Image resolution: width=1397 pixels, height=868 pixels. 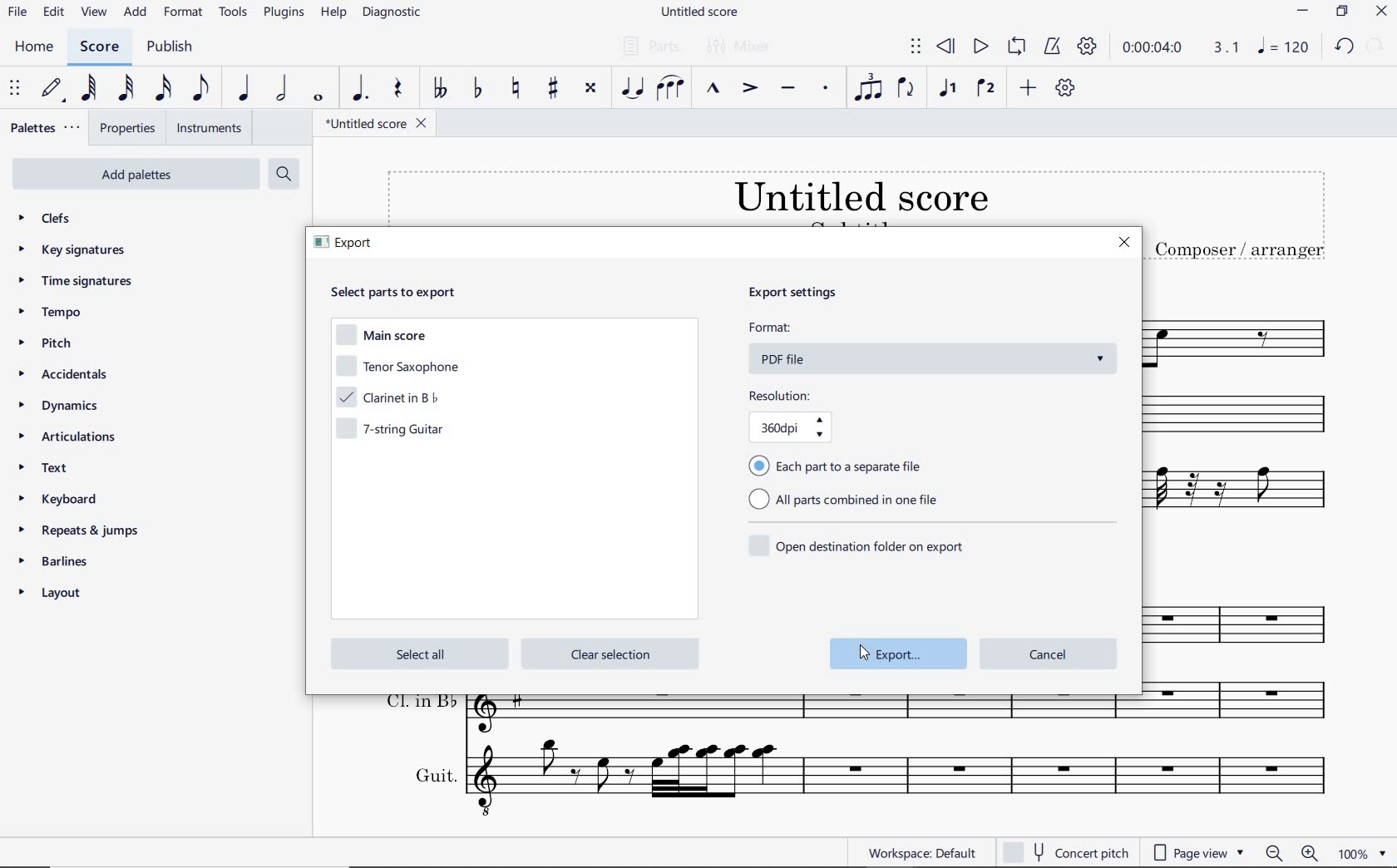 I want to click on HOME, so click(x=34, y=47).